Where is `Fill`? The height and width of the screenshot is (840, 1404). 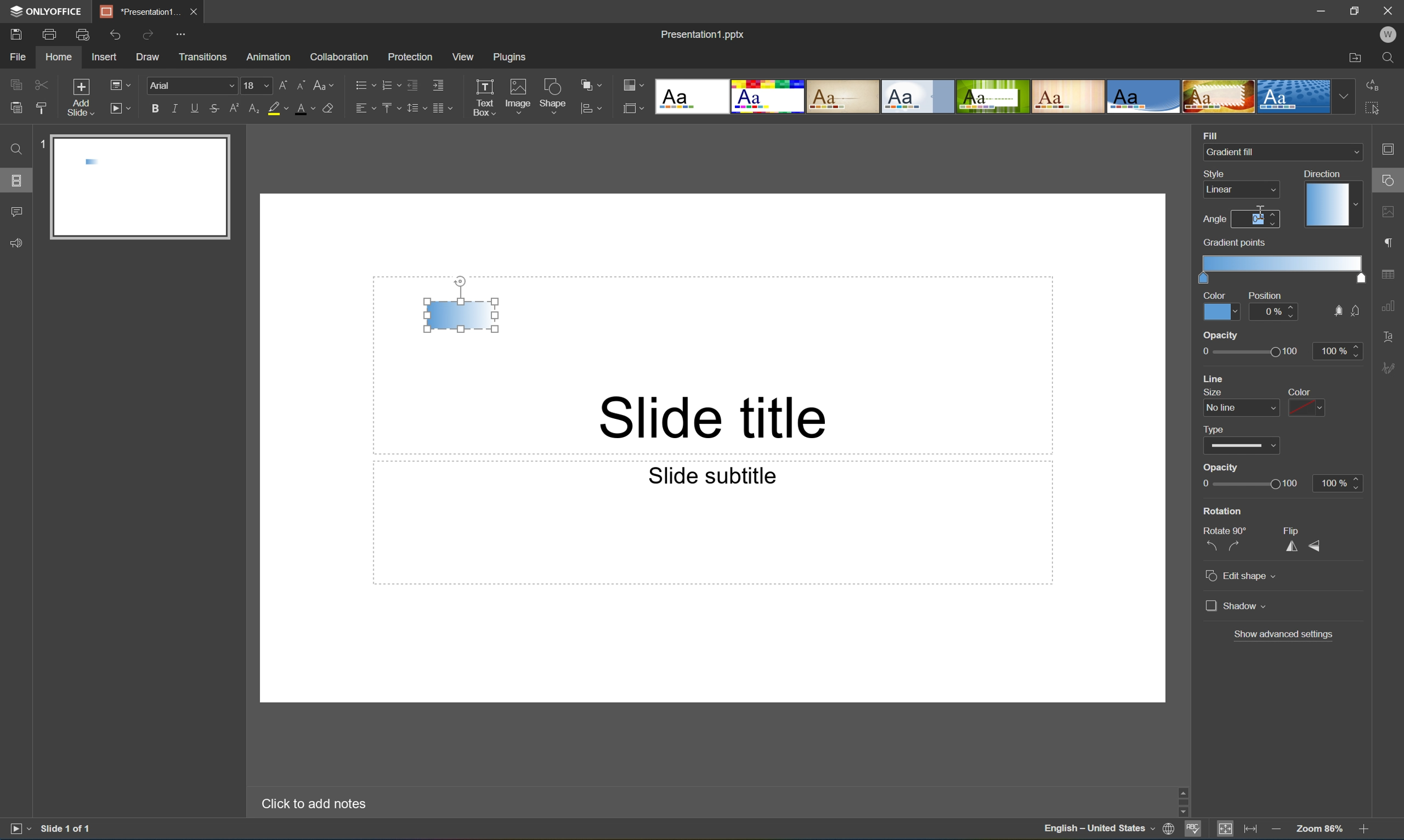
Fill is located at coordinates (1210, 134).